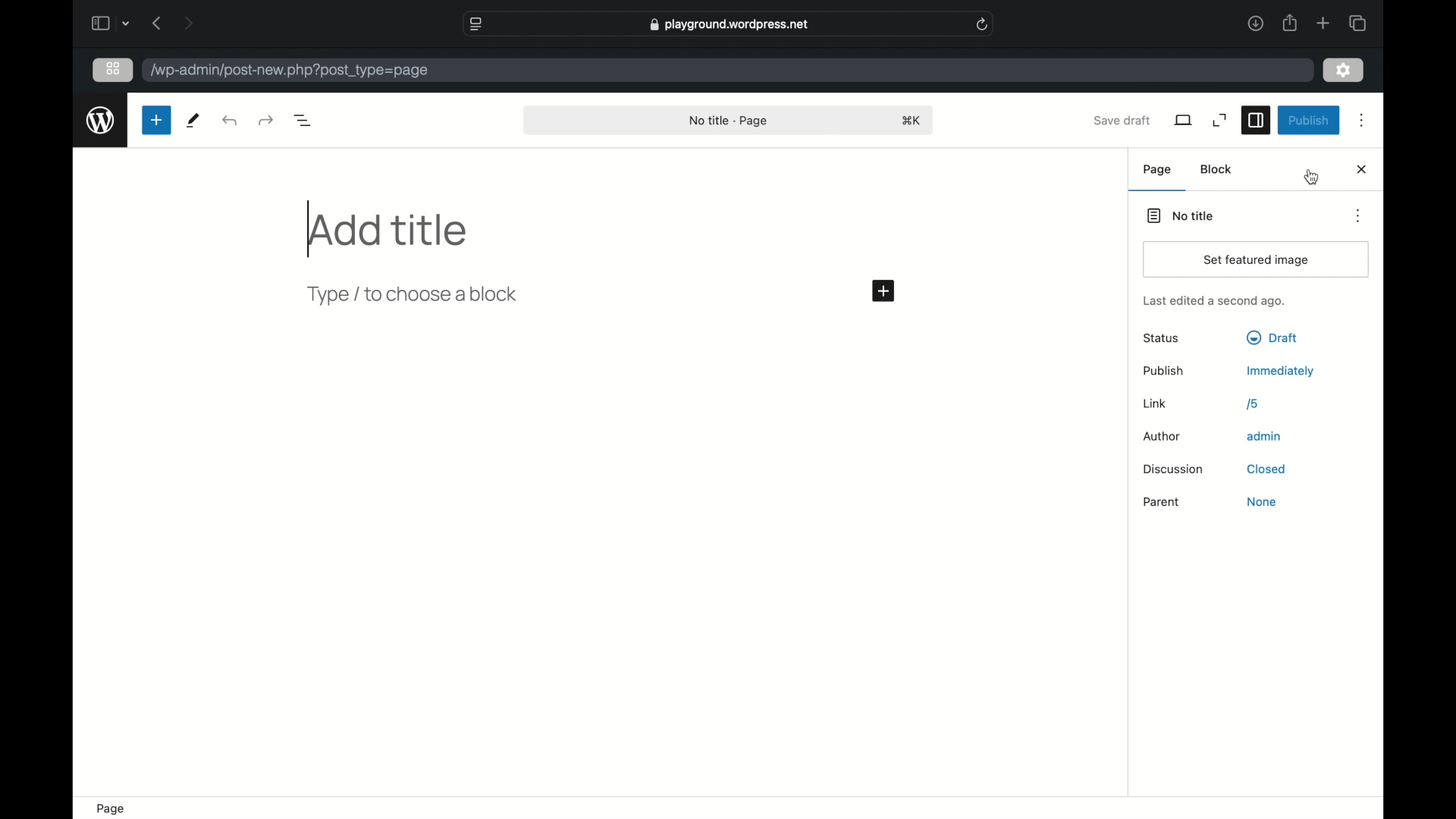 The width and height of the screenshot is (1456, 819). Describe the element at coordinates (102, 121) in the screenshot. I see `wordpress` at that location.